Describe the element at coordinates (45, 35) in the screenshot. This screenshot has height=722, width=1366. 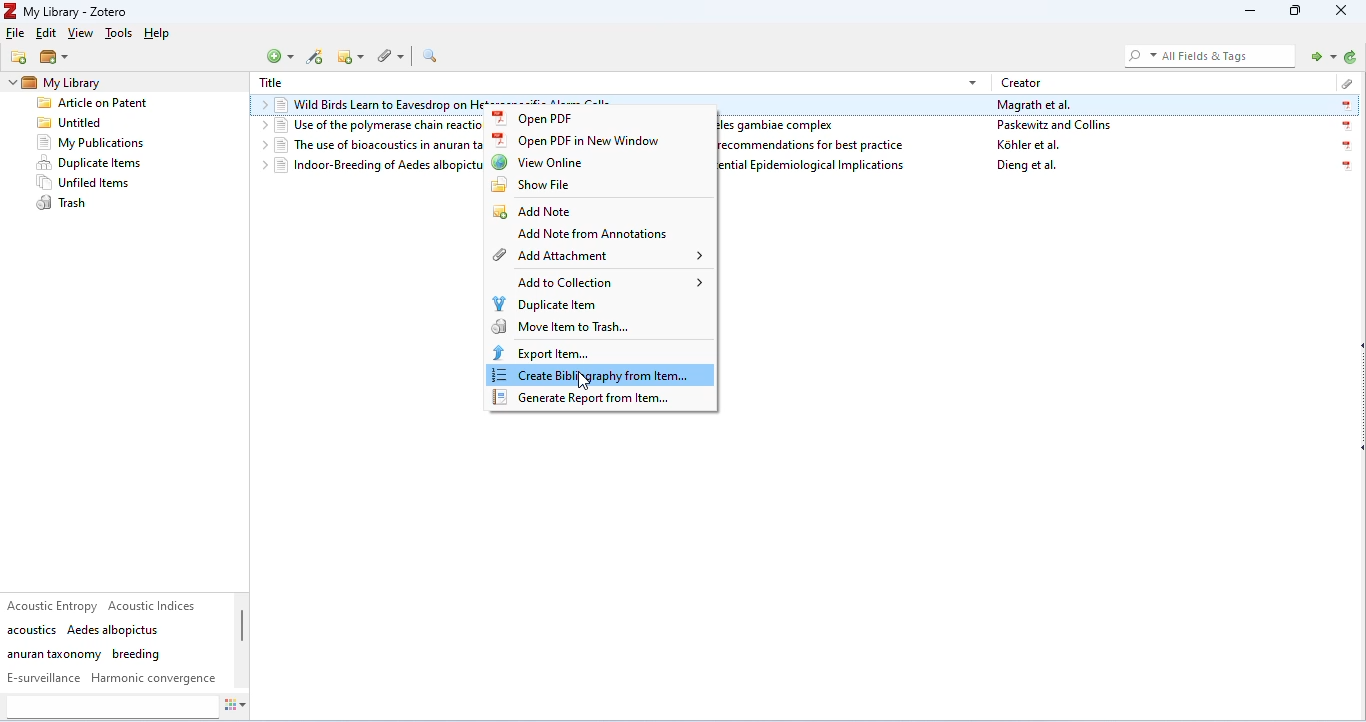
I see `edit` at that location.